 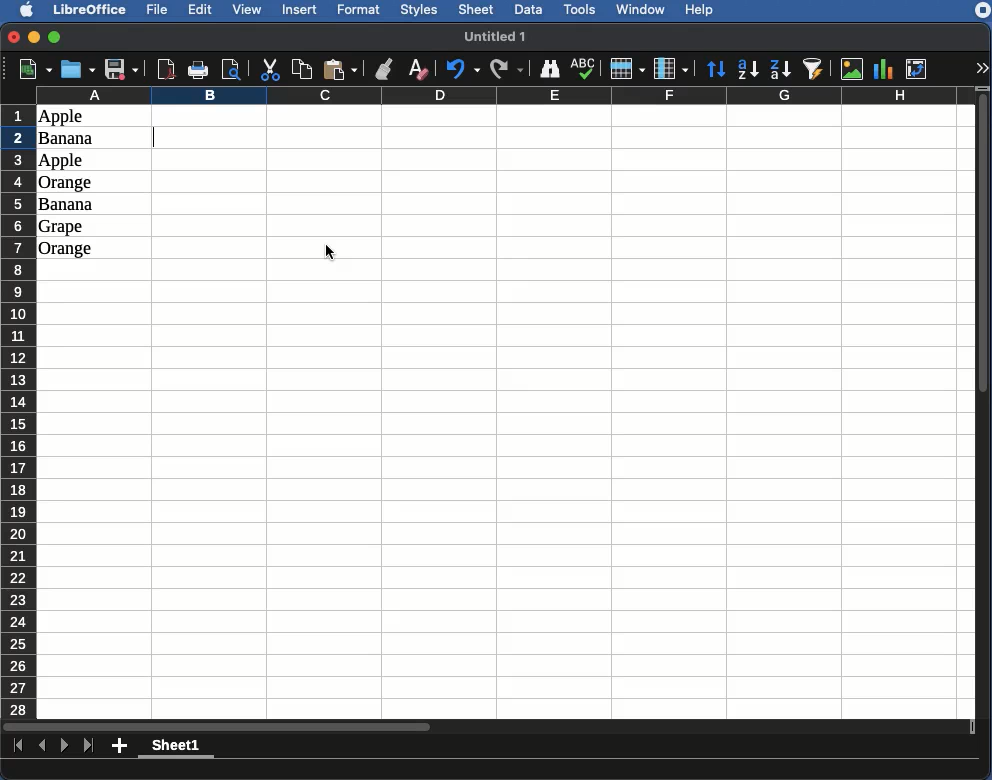 What do you see at coordinates (983, 68) in the screenshot?
I see `Expand` at bounding box center [983, 68].